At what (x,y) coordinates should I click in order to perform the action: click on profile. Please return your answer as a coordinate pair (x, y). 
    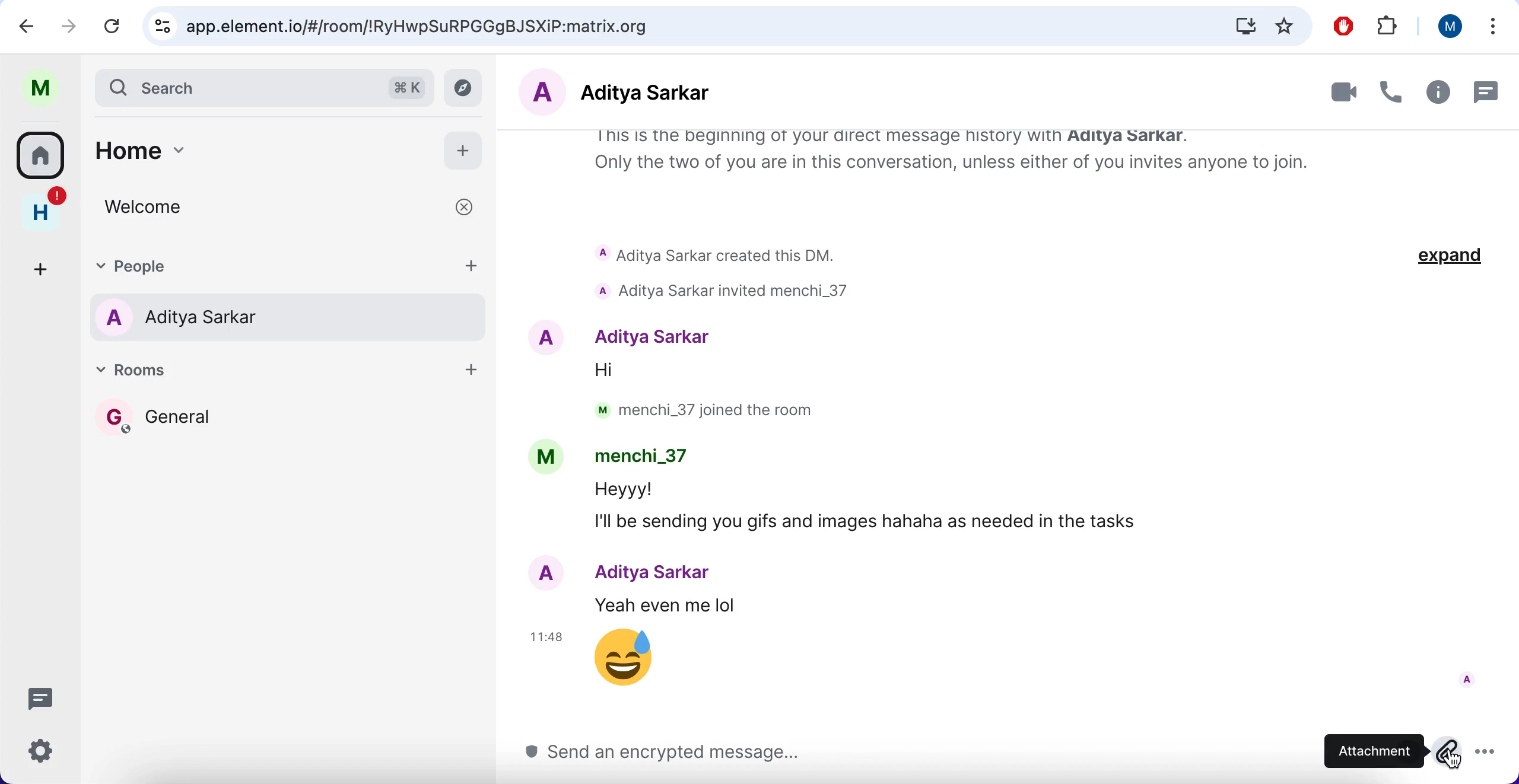
    Looking at the image, I should click on (45, 85).